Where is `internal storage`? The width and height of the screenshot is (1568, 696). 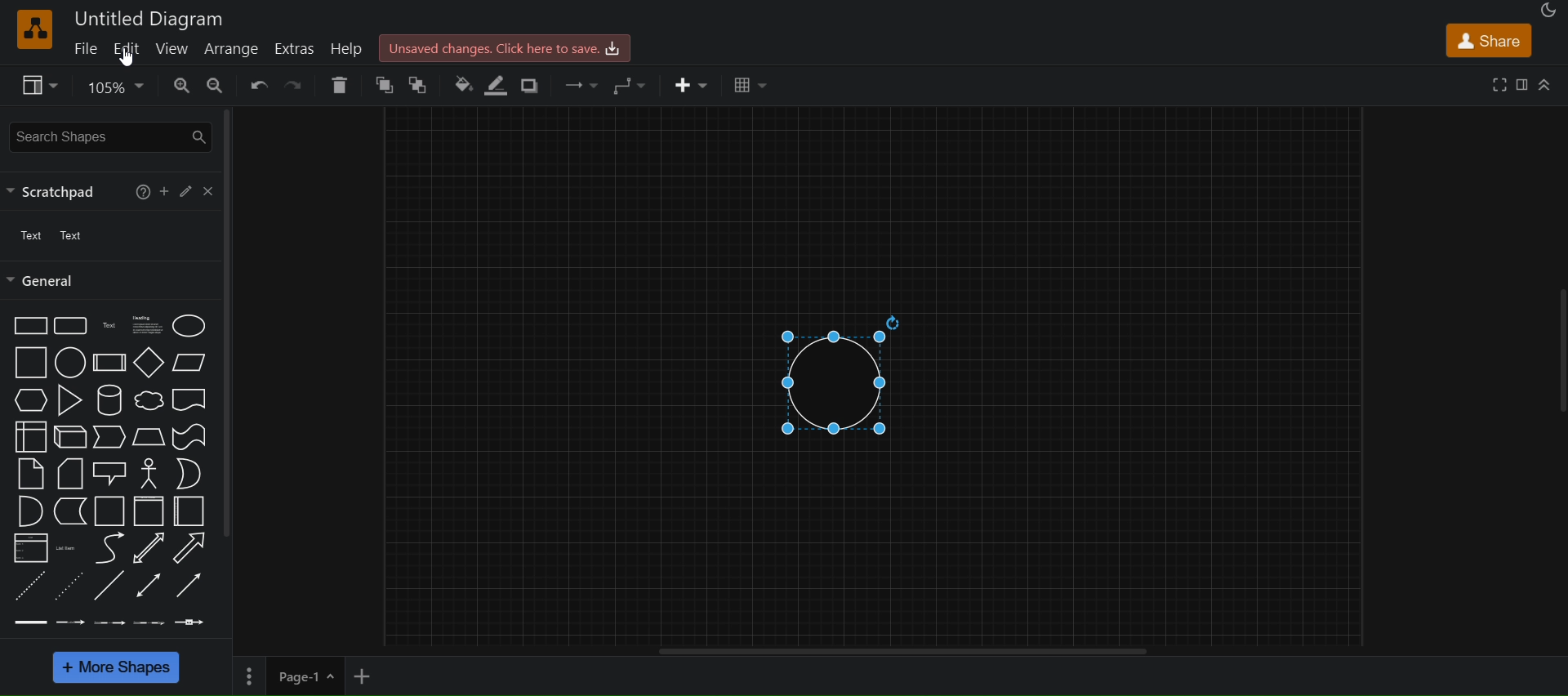 internal storage is located at coordinates (28, 436).